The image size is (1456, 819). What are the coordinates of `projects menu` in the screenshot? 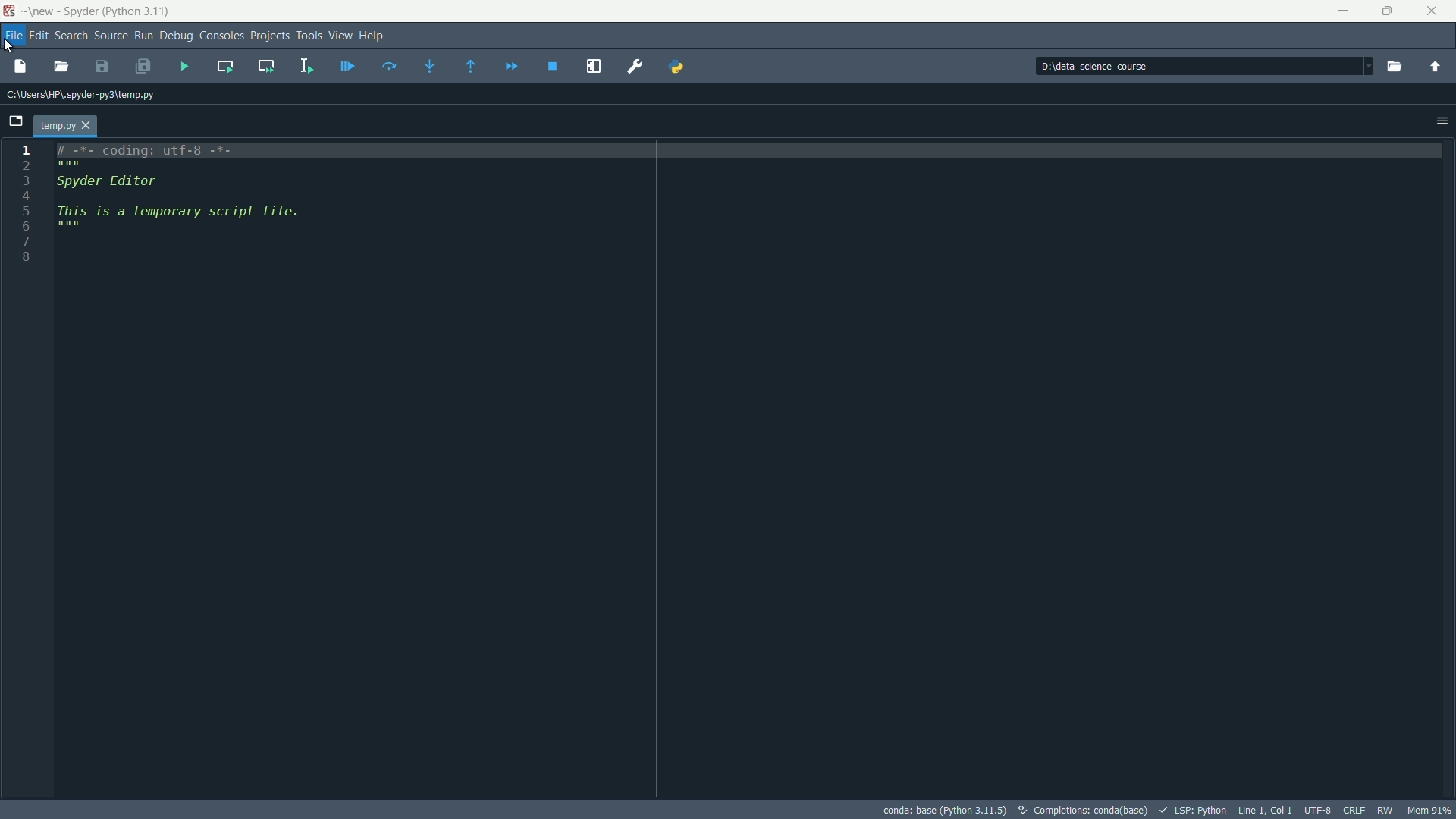 It's located at (271, 36).